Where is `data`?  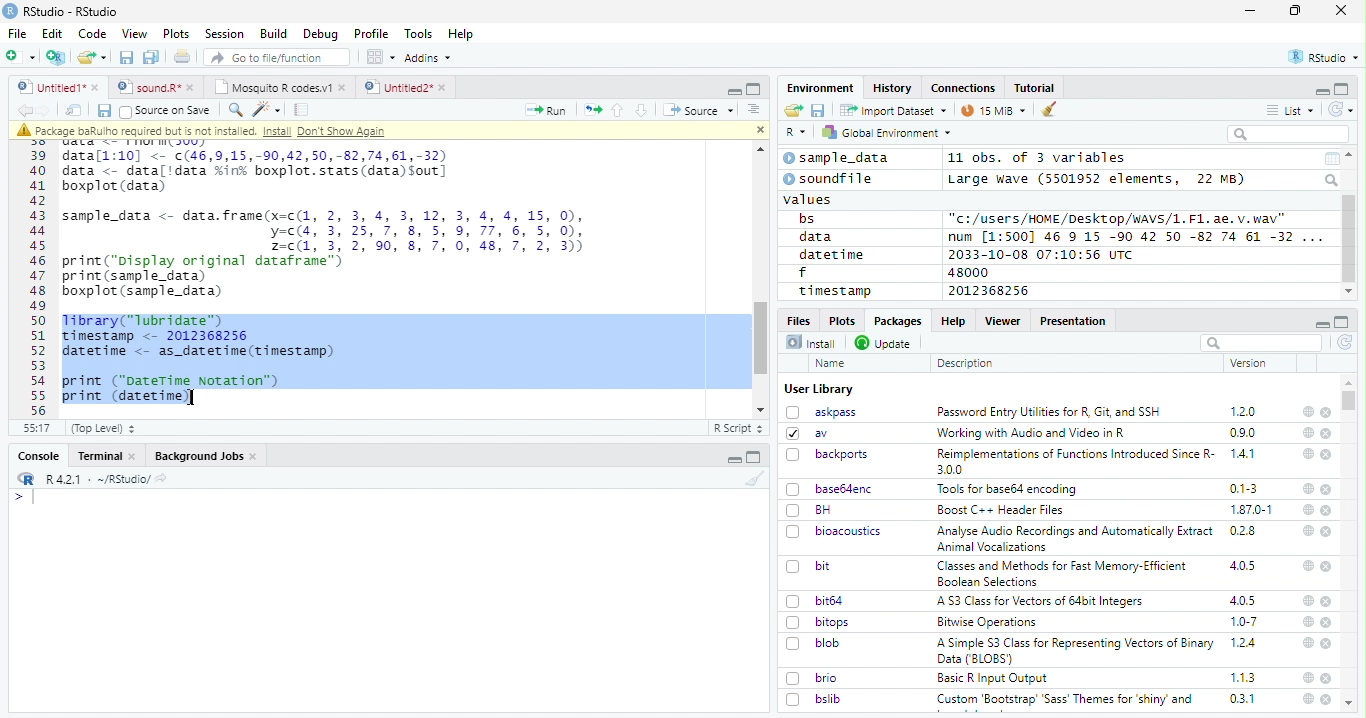 data is located at coordinates (819, 237).